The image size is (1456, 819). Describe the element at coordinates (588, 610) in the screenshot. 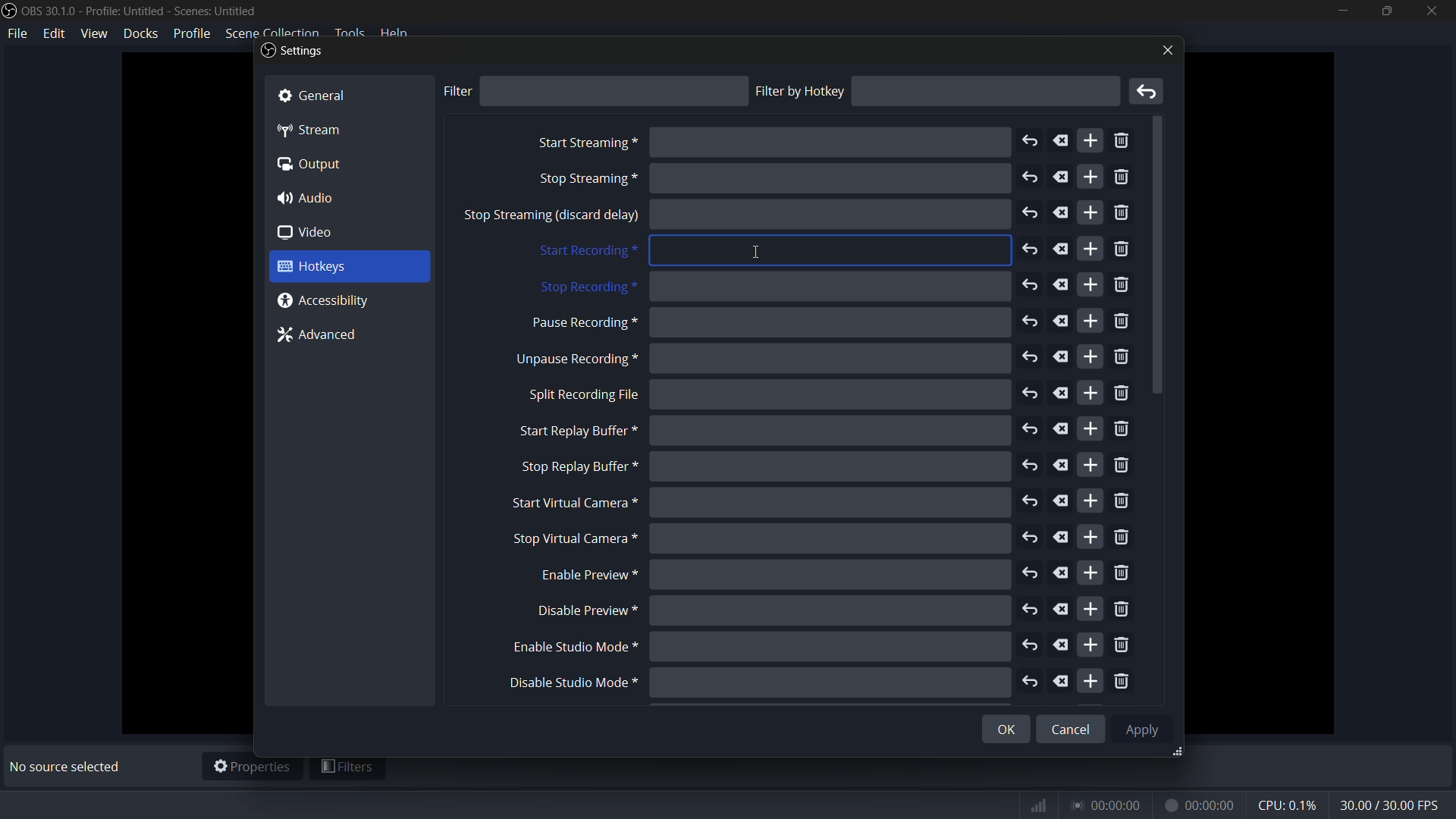

I see `disable preview` at that location.